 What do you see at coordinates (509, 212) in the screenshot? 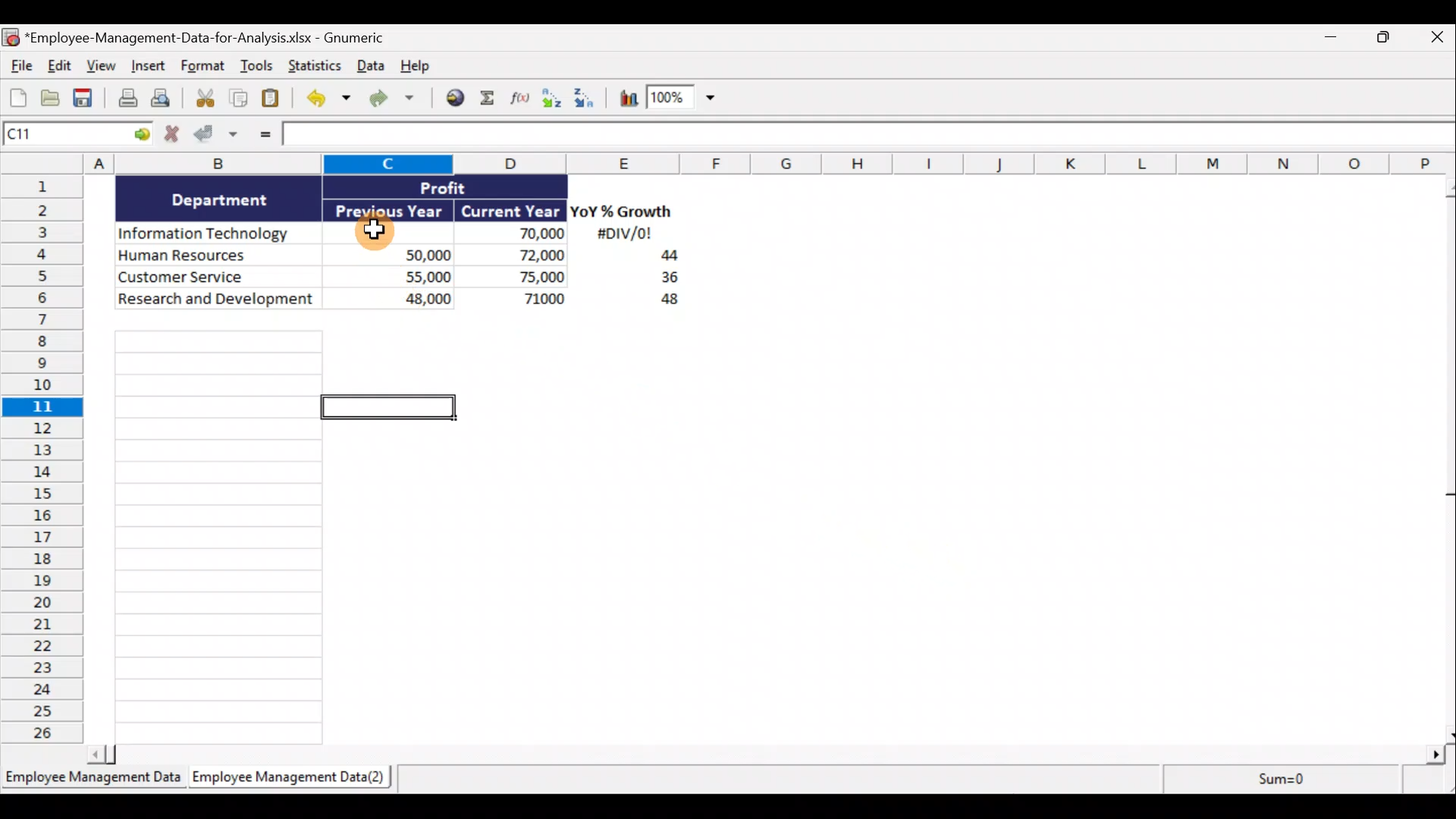
I see `Current Year` at bounding box center [509, 212].